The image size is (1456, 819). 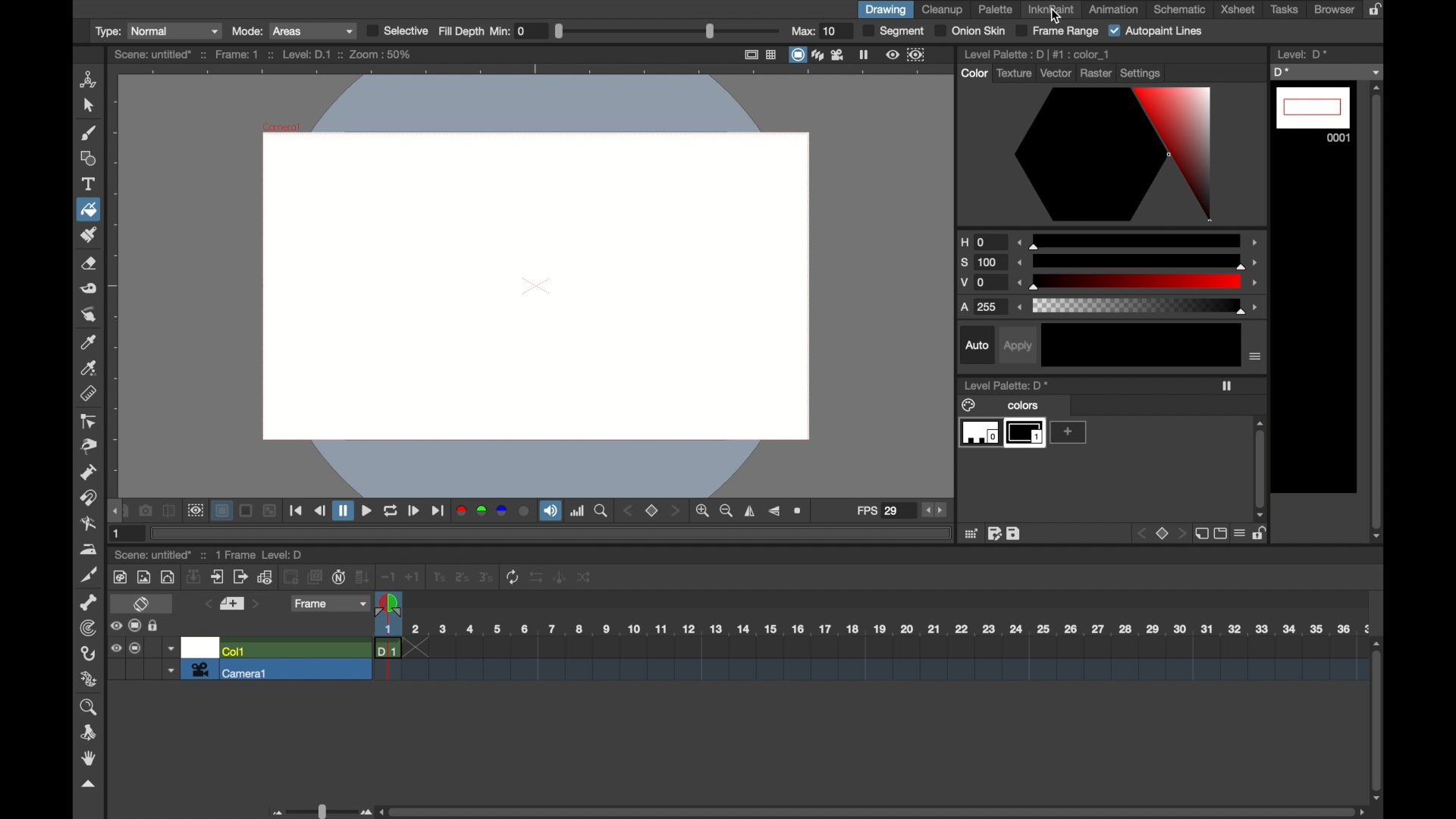 I want to click on down, so click(x=193, y=576).